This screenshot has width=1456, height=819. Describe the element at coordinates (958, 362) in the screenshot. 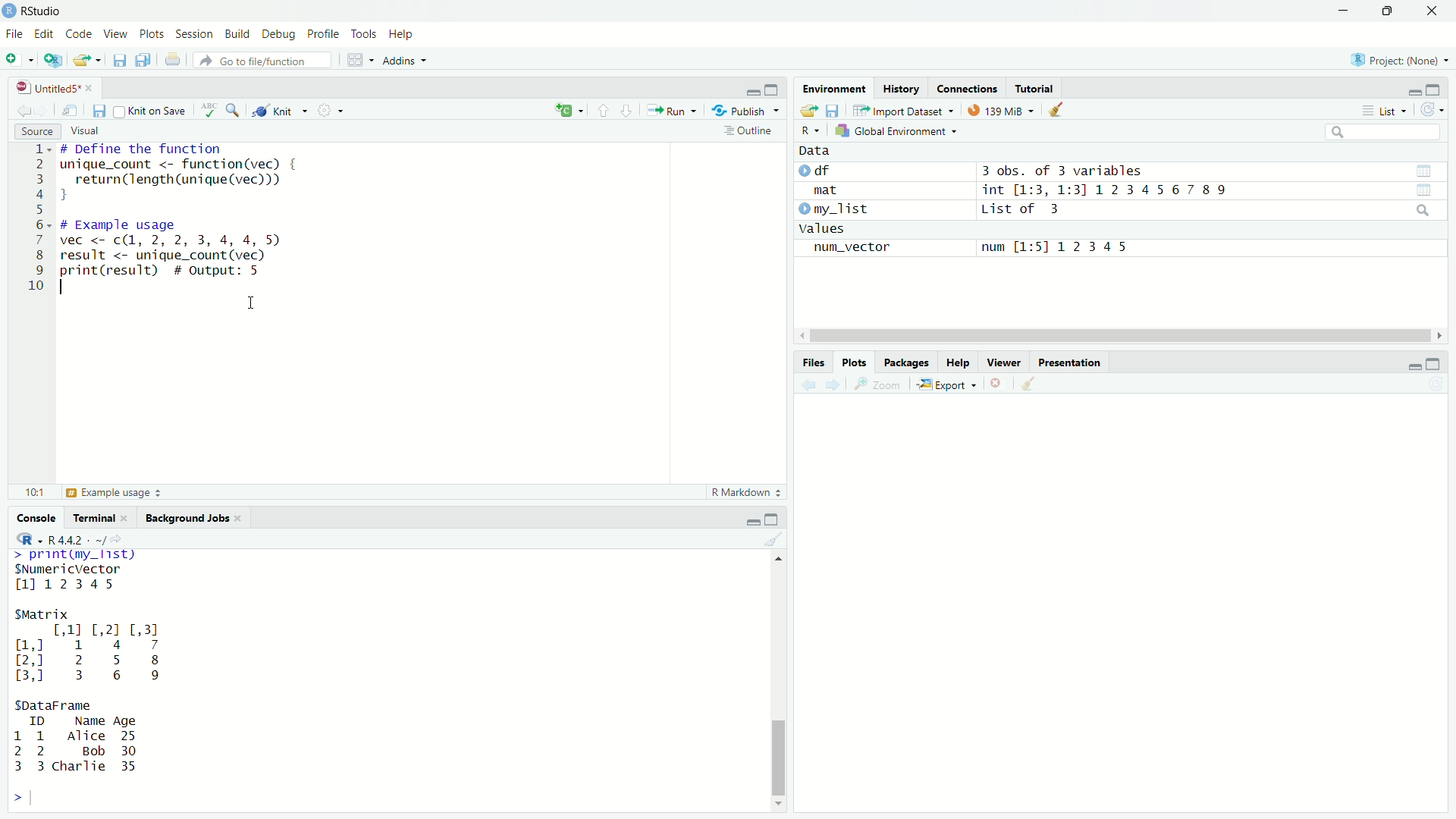

I see `Help` at that location.